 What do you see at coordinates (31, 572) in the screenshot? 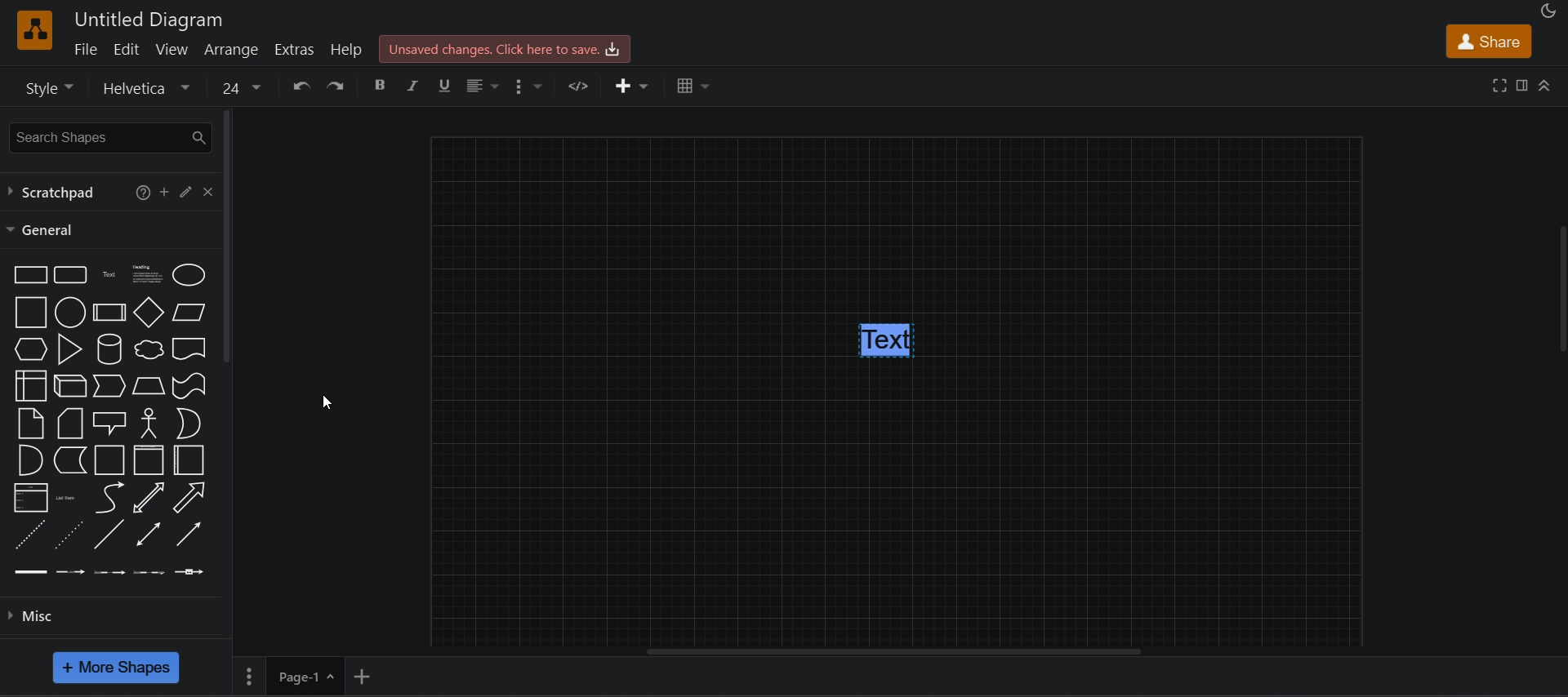
I see `Link` at bounding box center [31, 572].